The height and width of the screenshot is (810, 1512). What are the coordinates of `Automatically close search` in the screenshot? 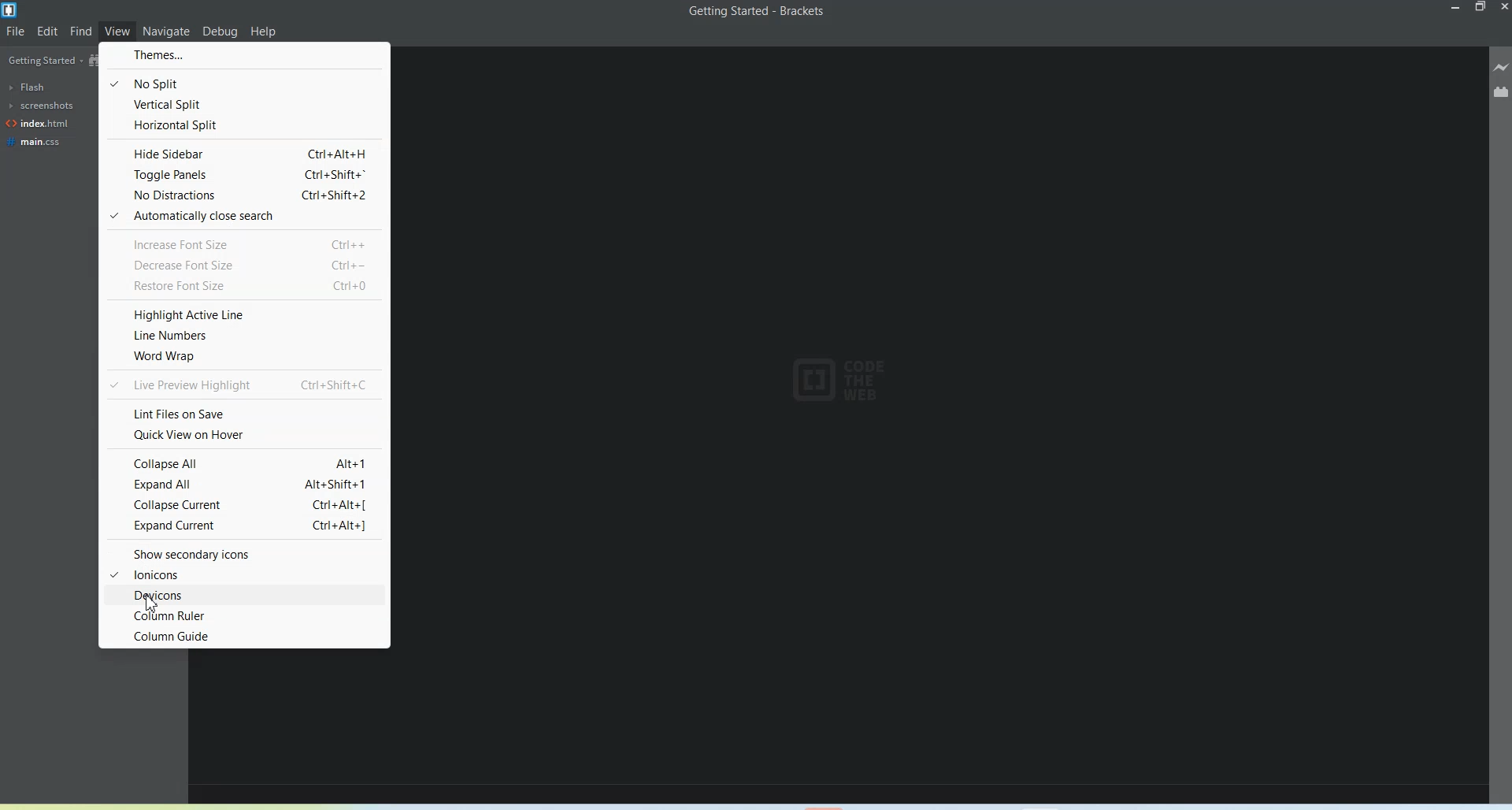 It's located at (243, 217).